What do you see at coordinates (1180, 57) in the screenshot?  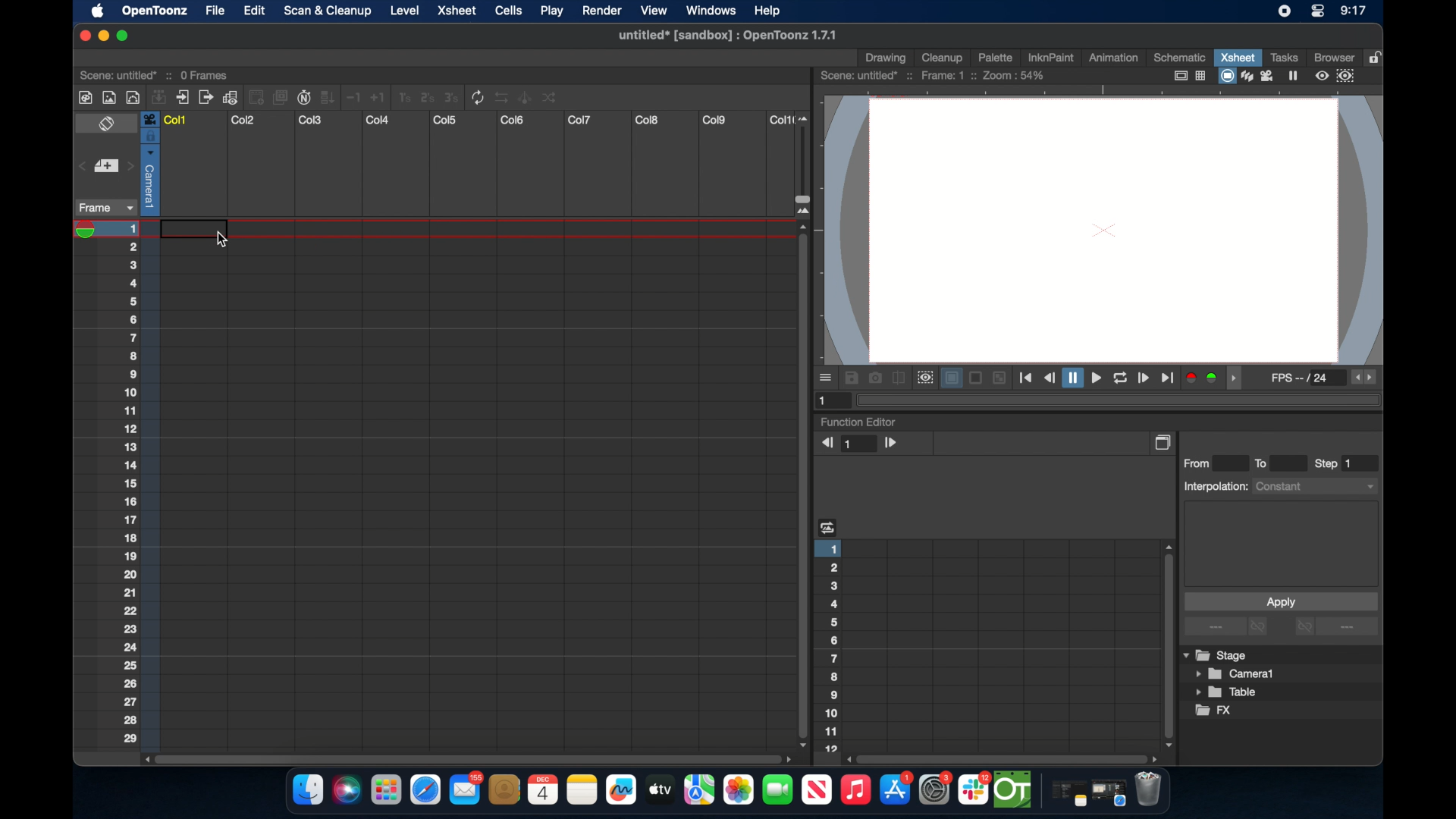 I see `schematic` at bounding box center [1180, 57].